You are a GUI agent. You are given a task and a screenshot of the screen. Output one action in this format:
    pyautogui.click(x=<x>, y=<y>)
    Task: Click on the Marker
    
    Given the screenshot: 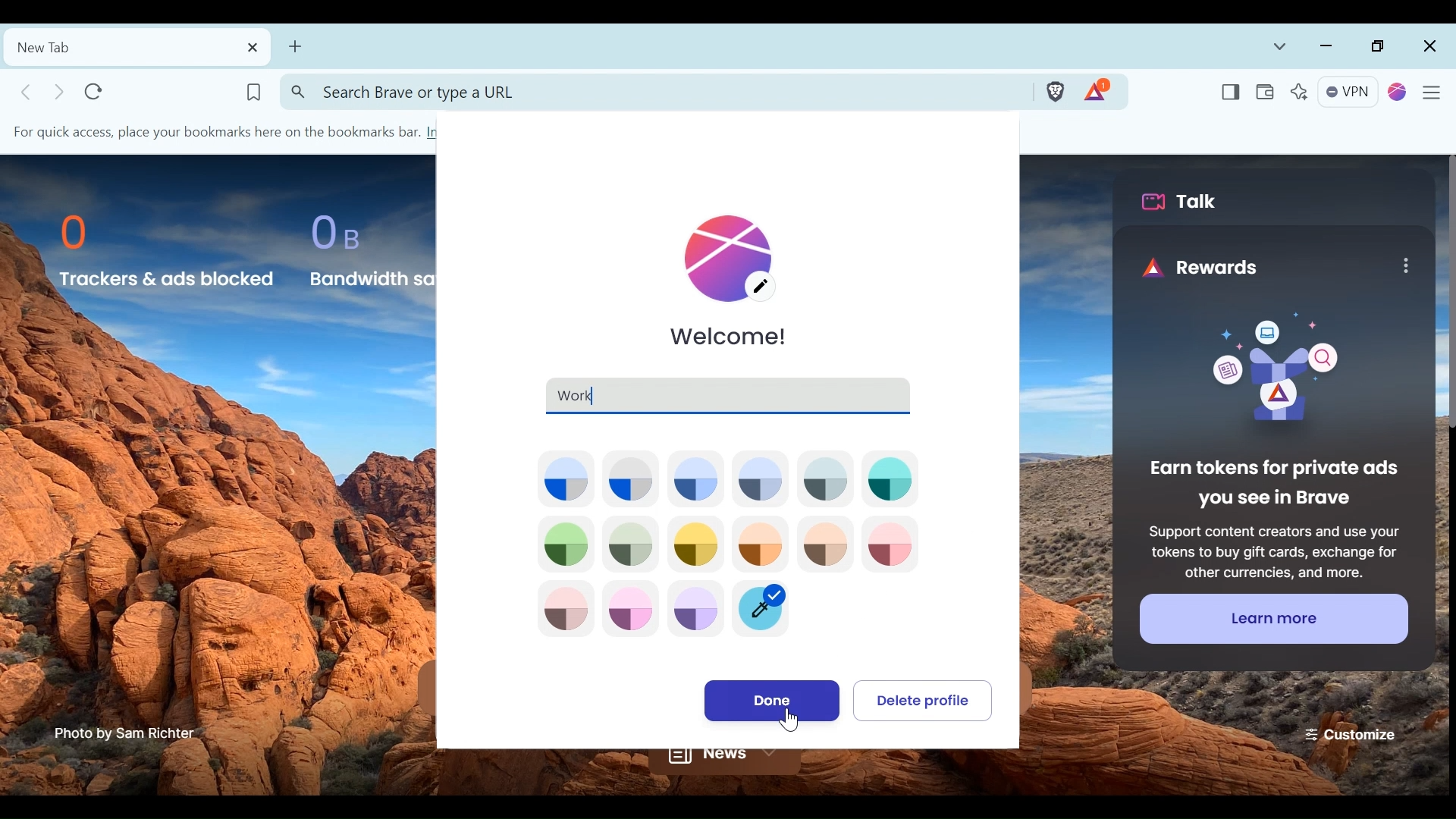 What is the action you would take?
    pyautogui.click(x=768, y=608)
    